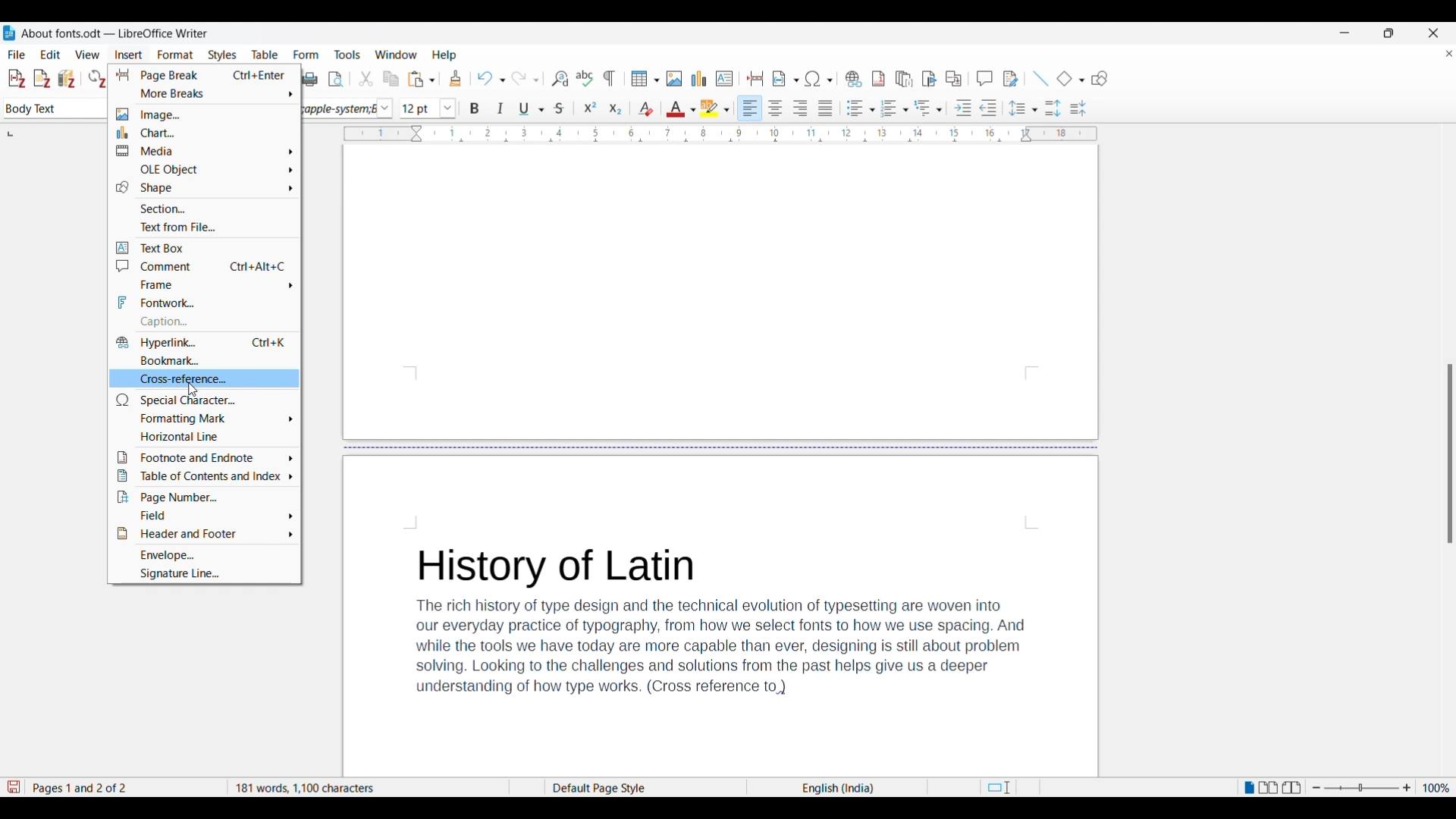 The image size is (1456, 819). What do you see at coordinates (998, 789) in the screenshot?
I see `Standard selection` at bounding box center [998, 789].